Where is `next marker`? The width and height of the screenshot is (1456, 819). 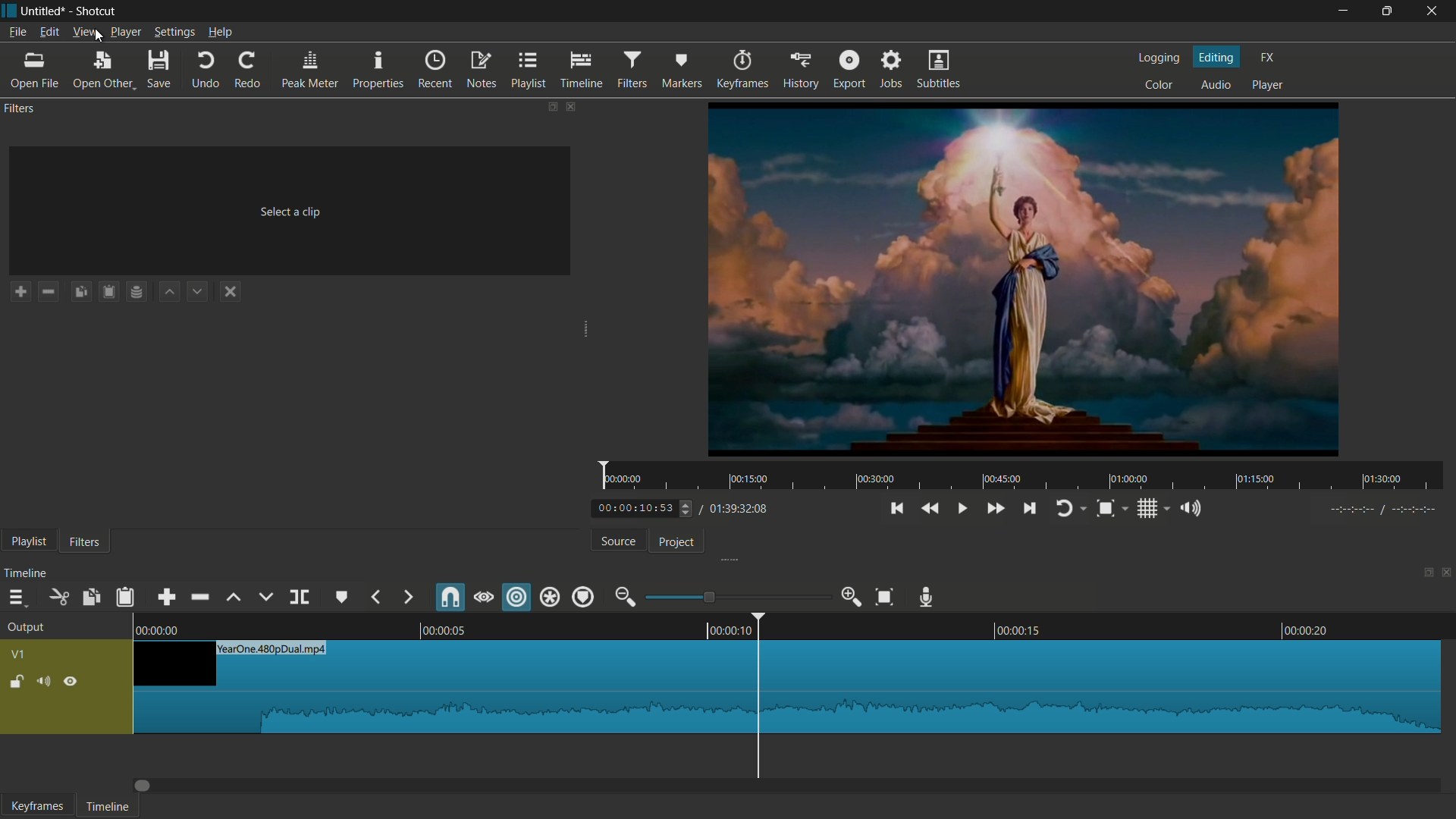 next marker is located at coordinates (406, 598).